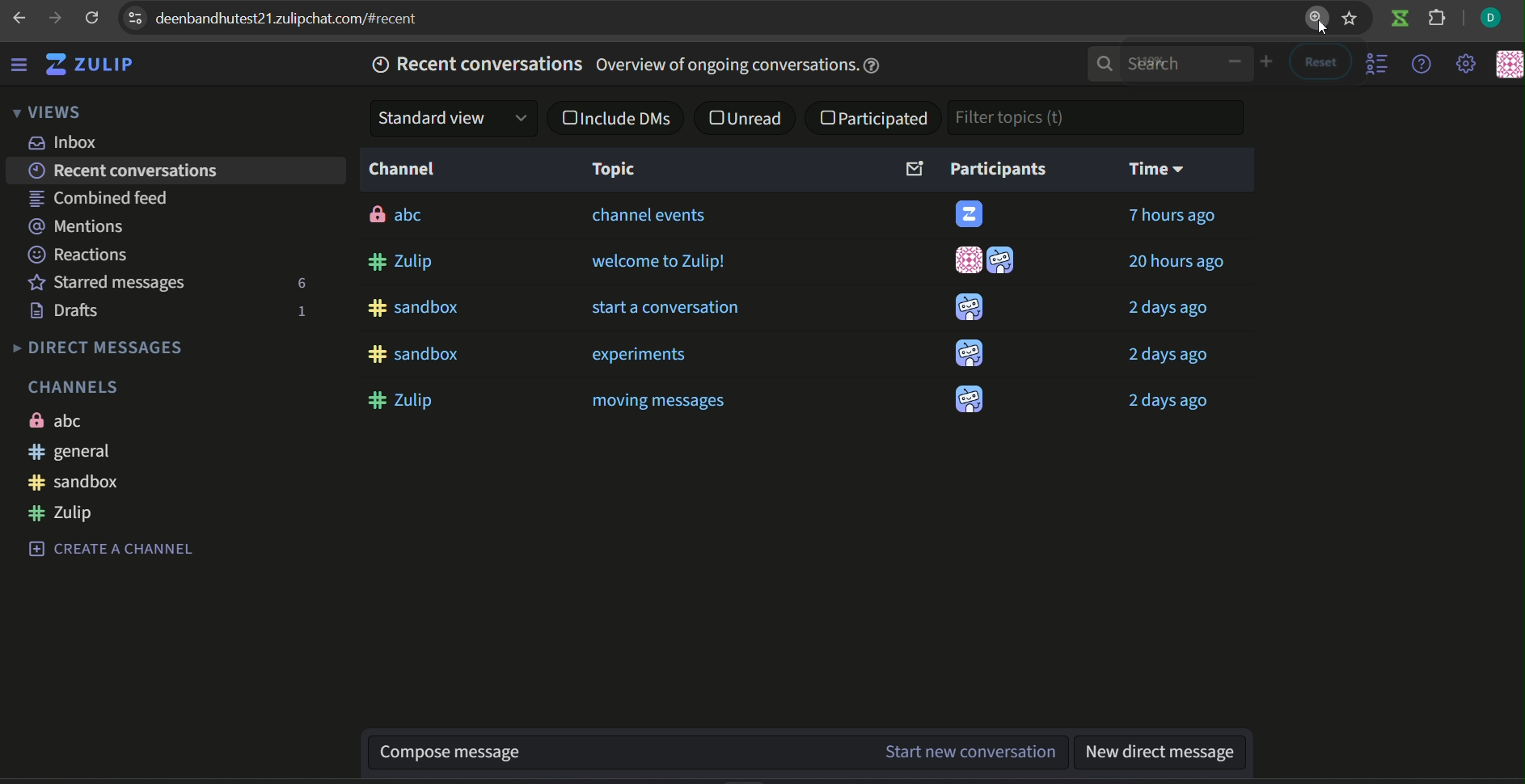 The image size is (1525, 784). What do you see at coordinates (1468, 65) in the screenshot?
I see `settings` at bounding box center [1468, 65].